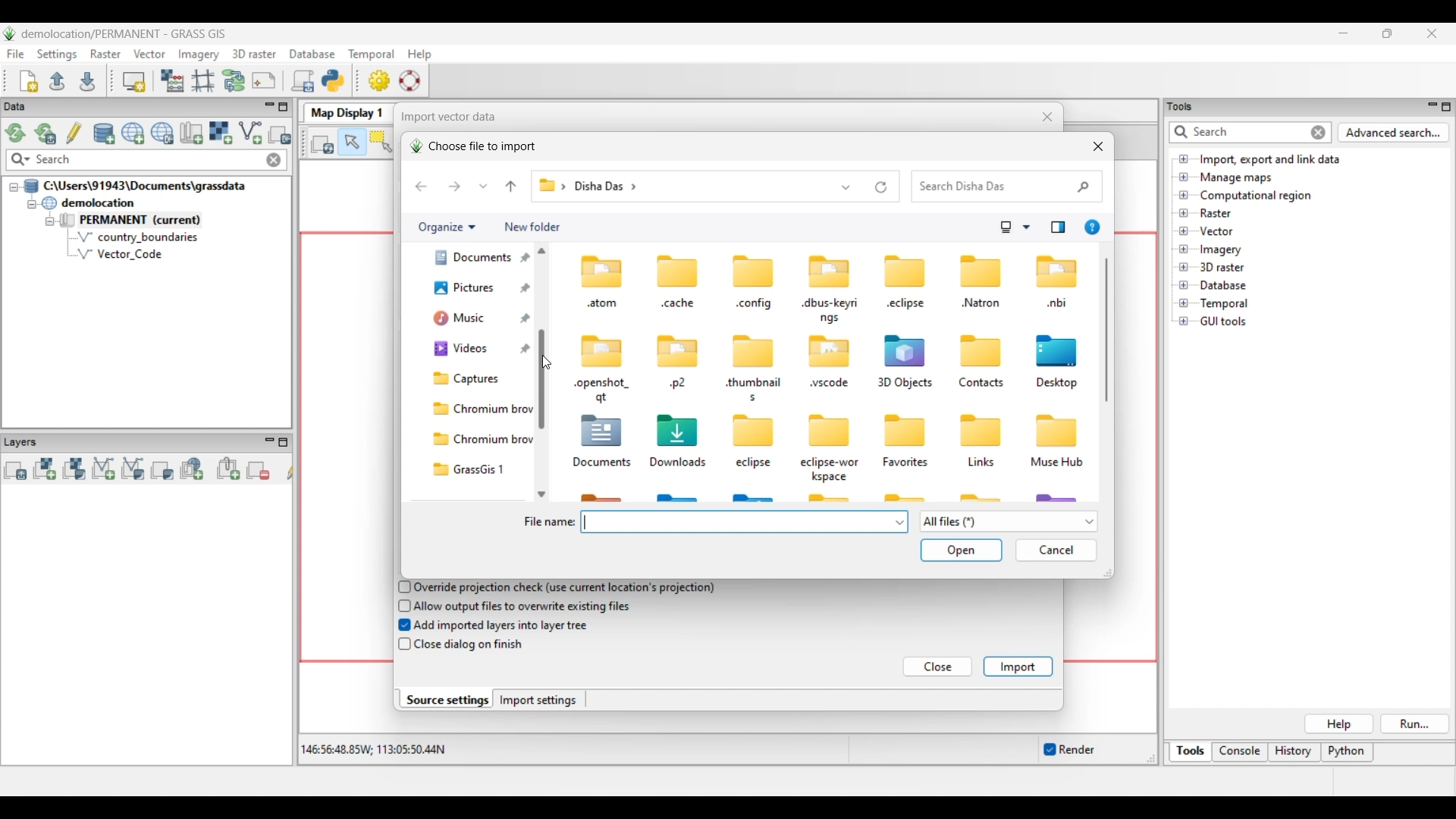 The height and width of the screenshot is (819, 1456). Describe the element at coordinates (678, 350) in the screenshot. I see `icon` at that location.